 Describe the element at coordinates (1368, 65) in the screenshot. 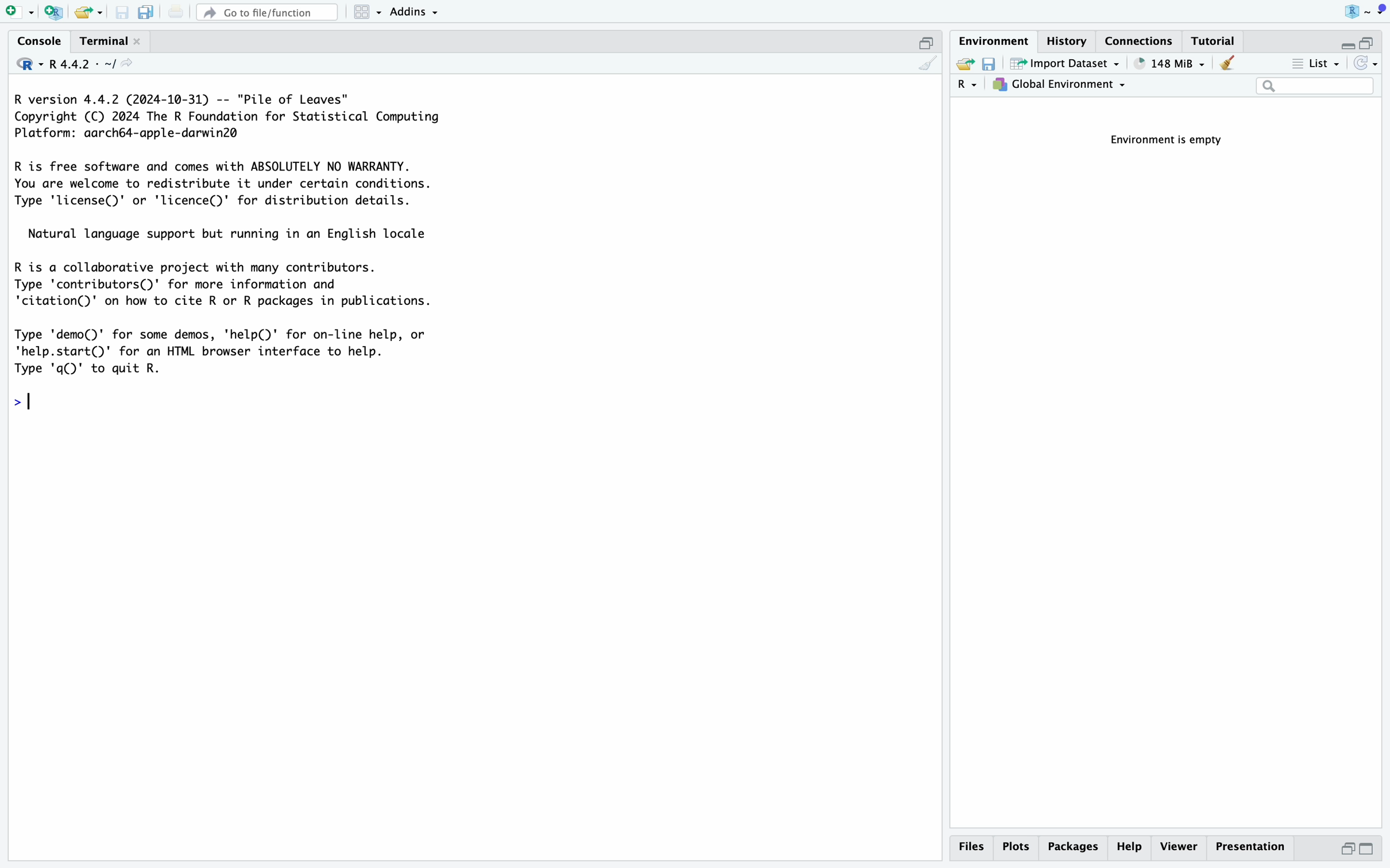

I see `refresh the list of objects in the environment` at that location.